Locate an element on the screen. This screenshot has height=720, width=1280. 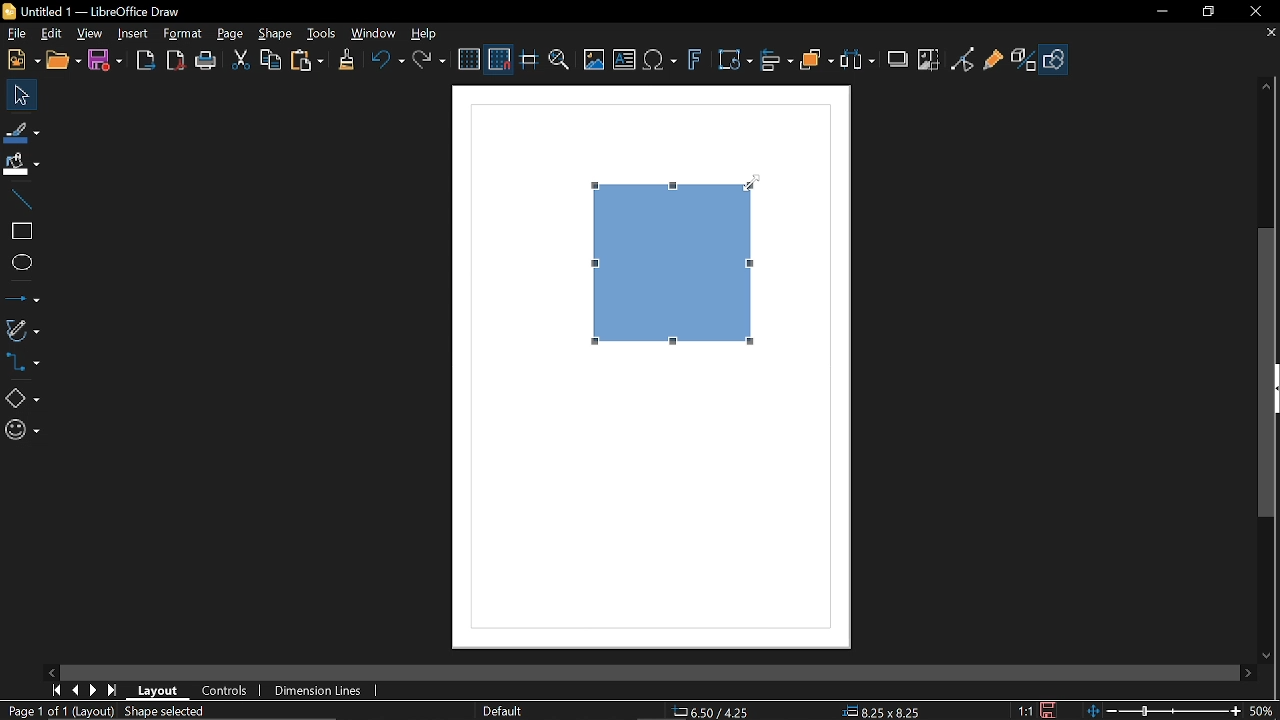
Add text is located at coordinates (625, 61).